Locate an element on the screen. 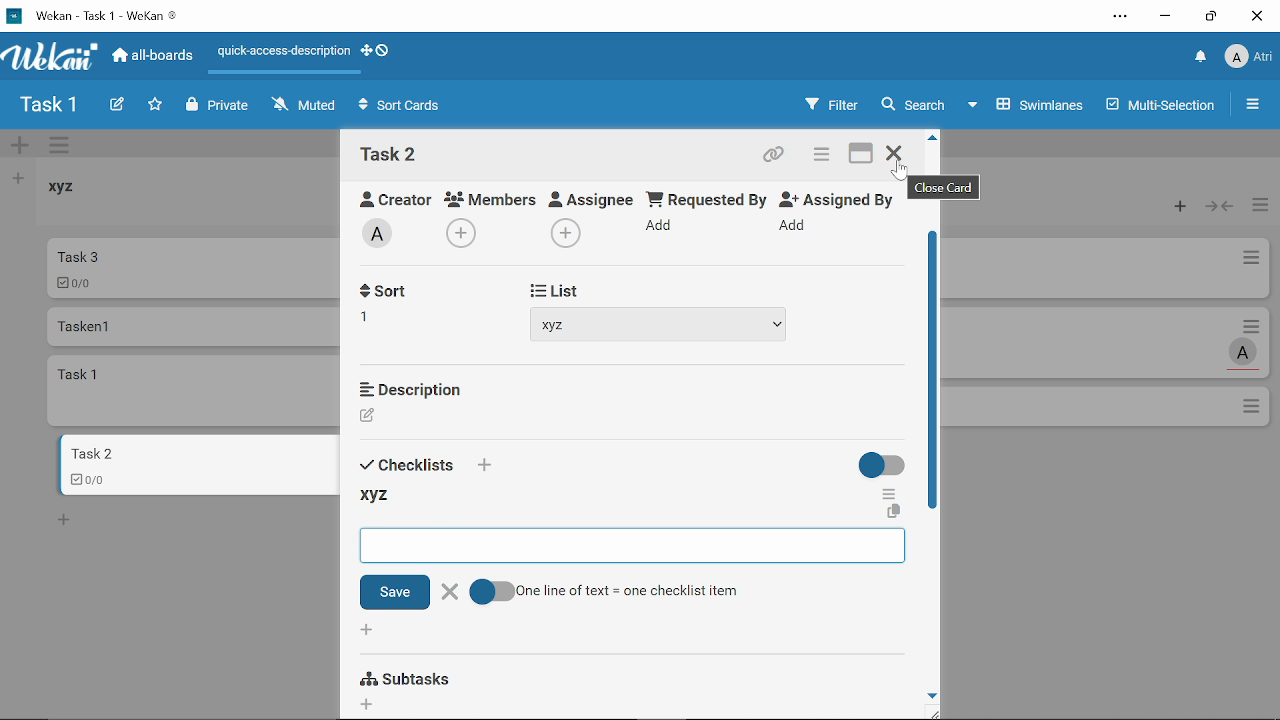 This screenshot has height=720, width=1280. On/Off is located at coordinates (488, 591).